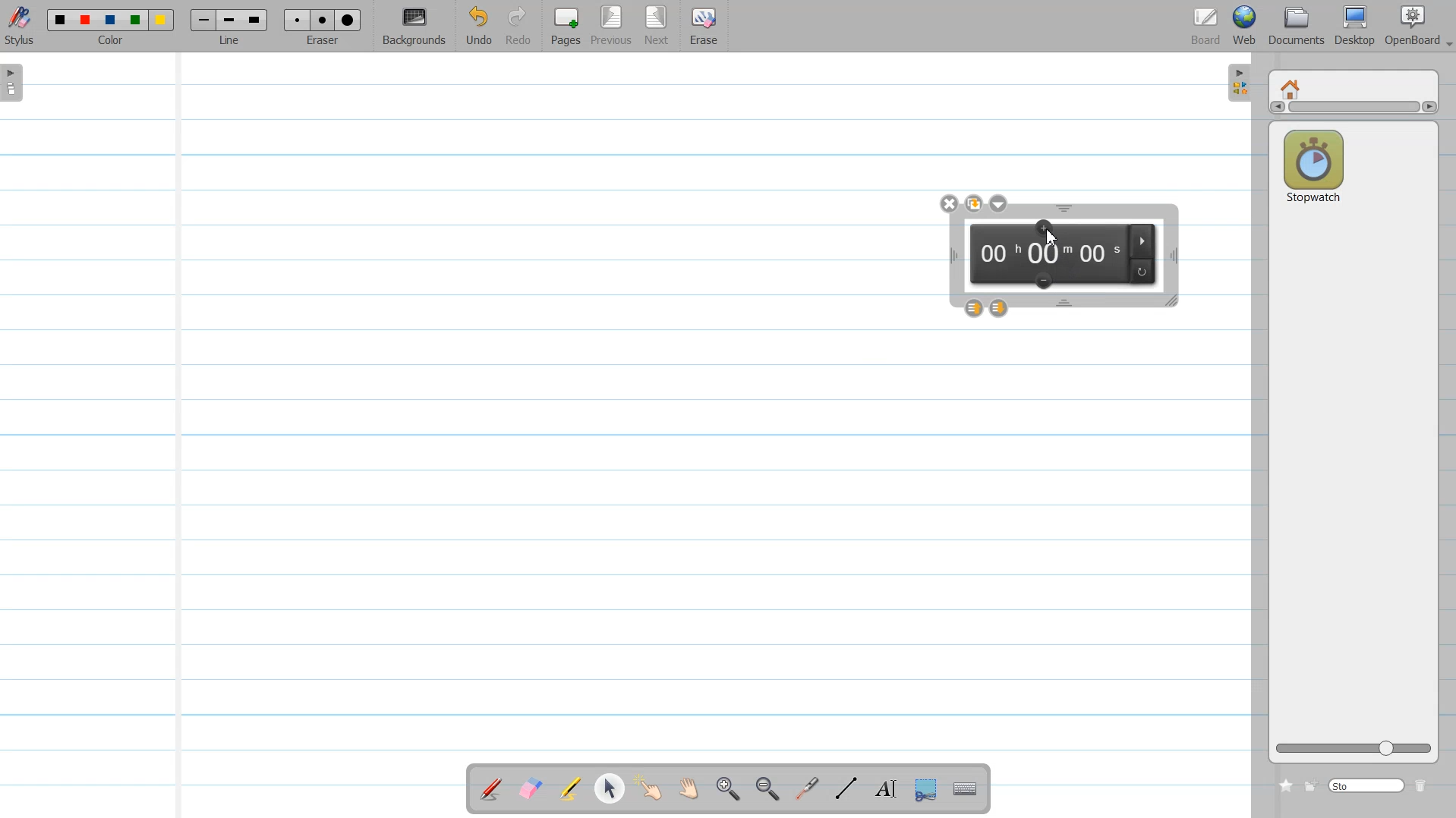  I want to click on Logo size adjuster, so click(1354, 749).